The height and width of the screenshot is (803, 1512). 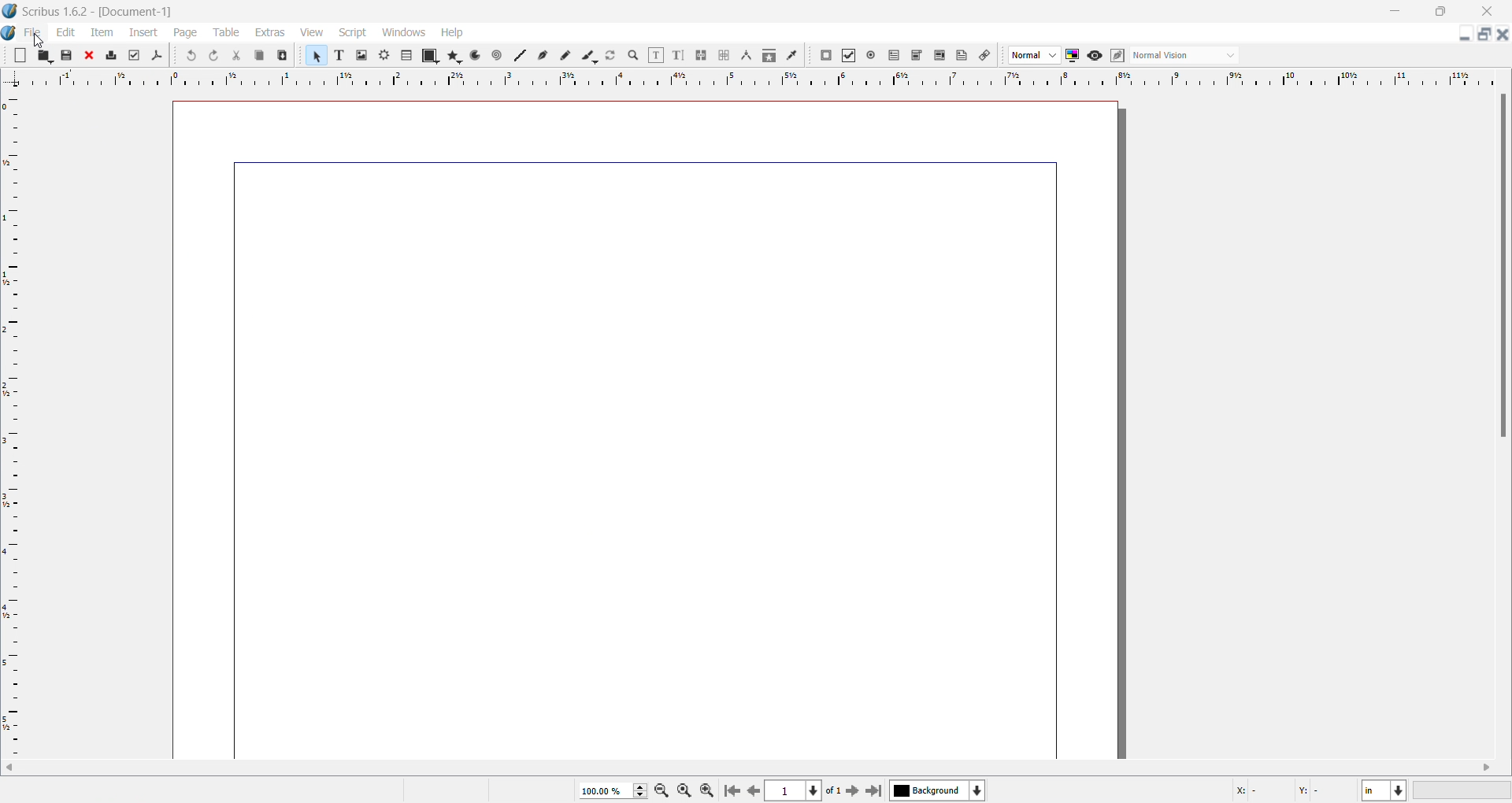 I want to click on icon, so click(x=914, y=55).